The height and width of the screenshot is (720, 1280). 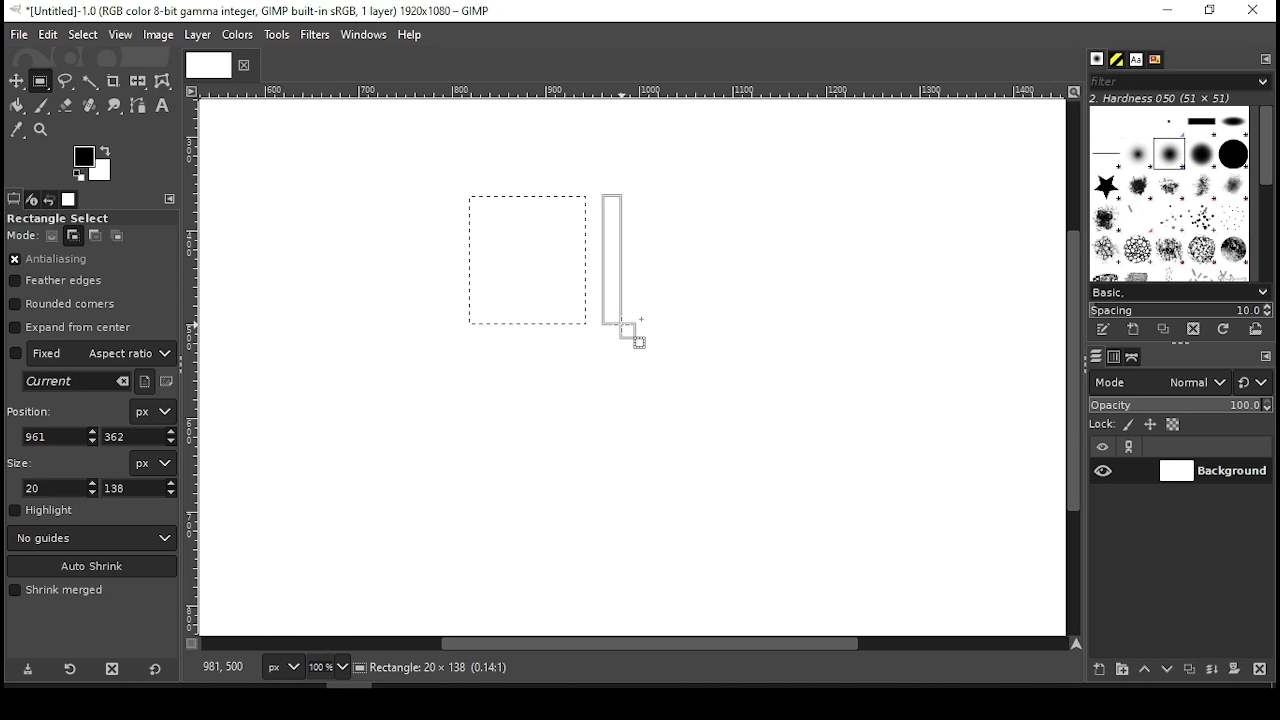 I want to click on layer visibility on/off, so click(x=1104, y=470).